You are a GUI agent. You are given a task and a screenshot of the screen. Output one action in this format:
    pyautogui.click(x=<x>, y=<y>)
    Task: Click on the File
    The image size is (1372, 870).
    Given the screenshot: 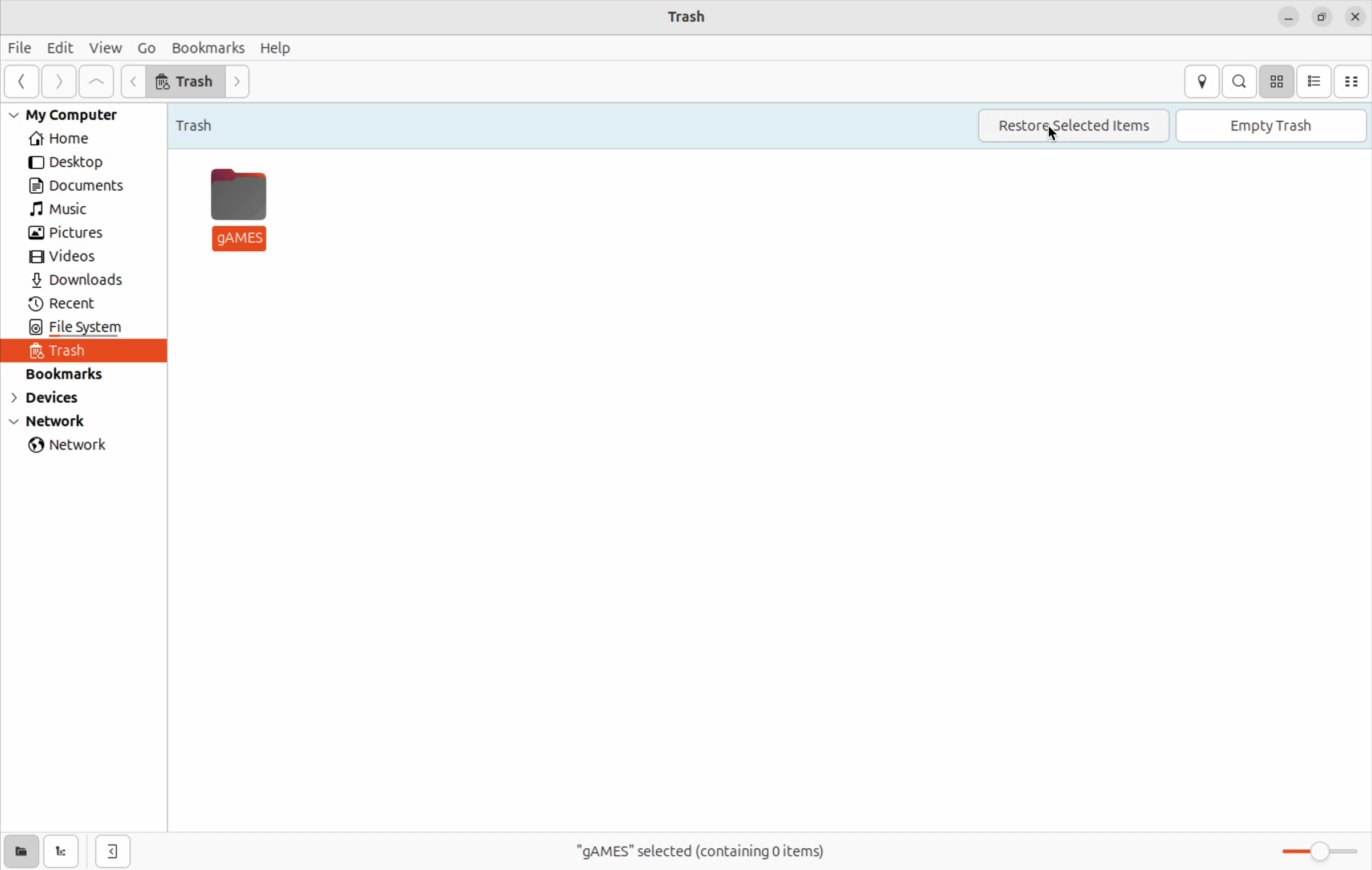 What is the action you would take?
    pyautogui.click(x=21, y=50)
    